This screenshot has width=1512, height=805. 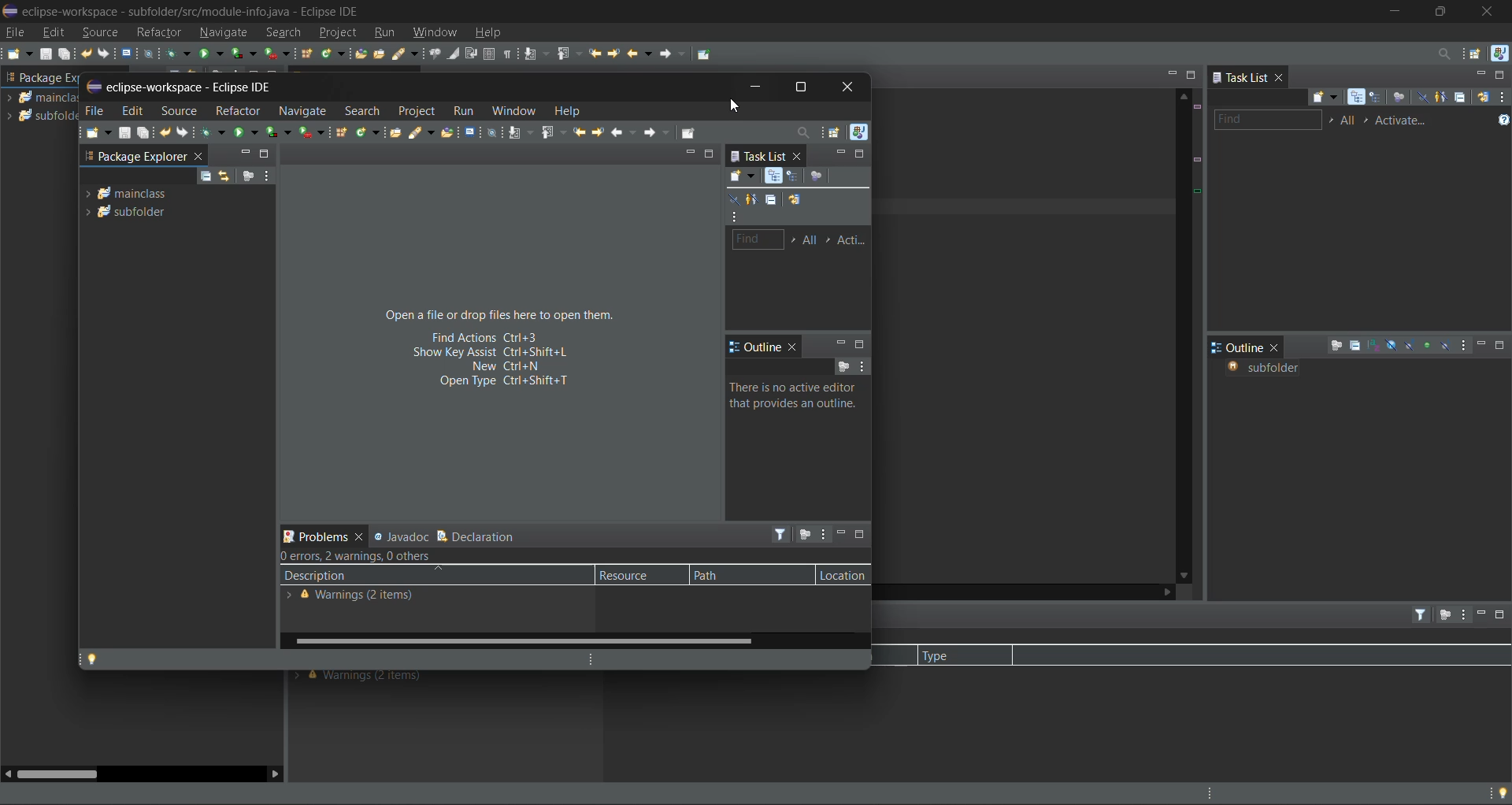 What do you see at coordinates (795, 176) in the screenshot?
I see `scheduled` at bounding box center [795, 176].